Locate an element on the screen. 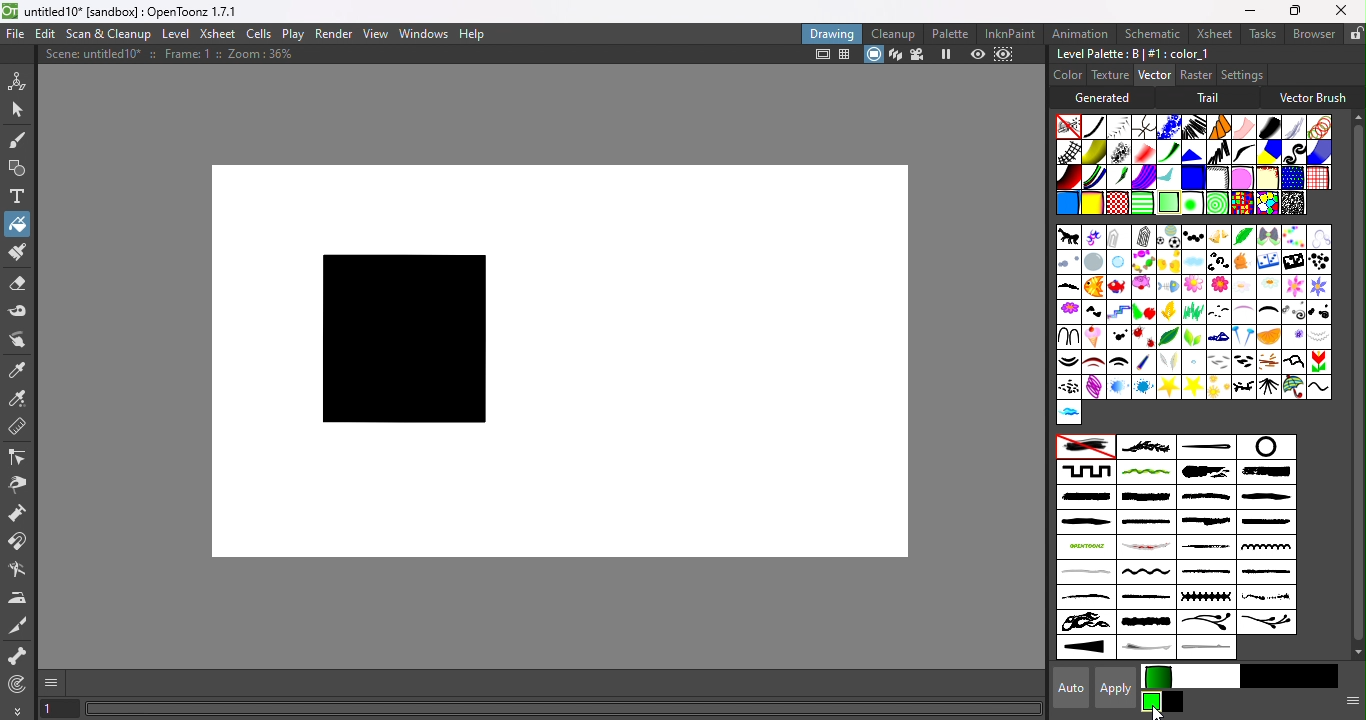  Vanishing is located at coordinates (1268, 125).